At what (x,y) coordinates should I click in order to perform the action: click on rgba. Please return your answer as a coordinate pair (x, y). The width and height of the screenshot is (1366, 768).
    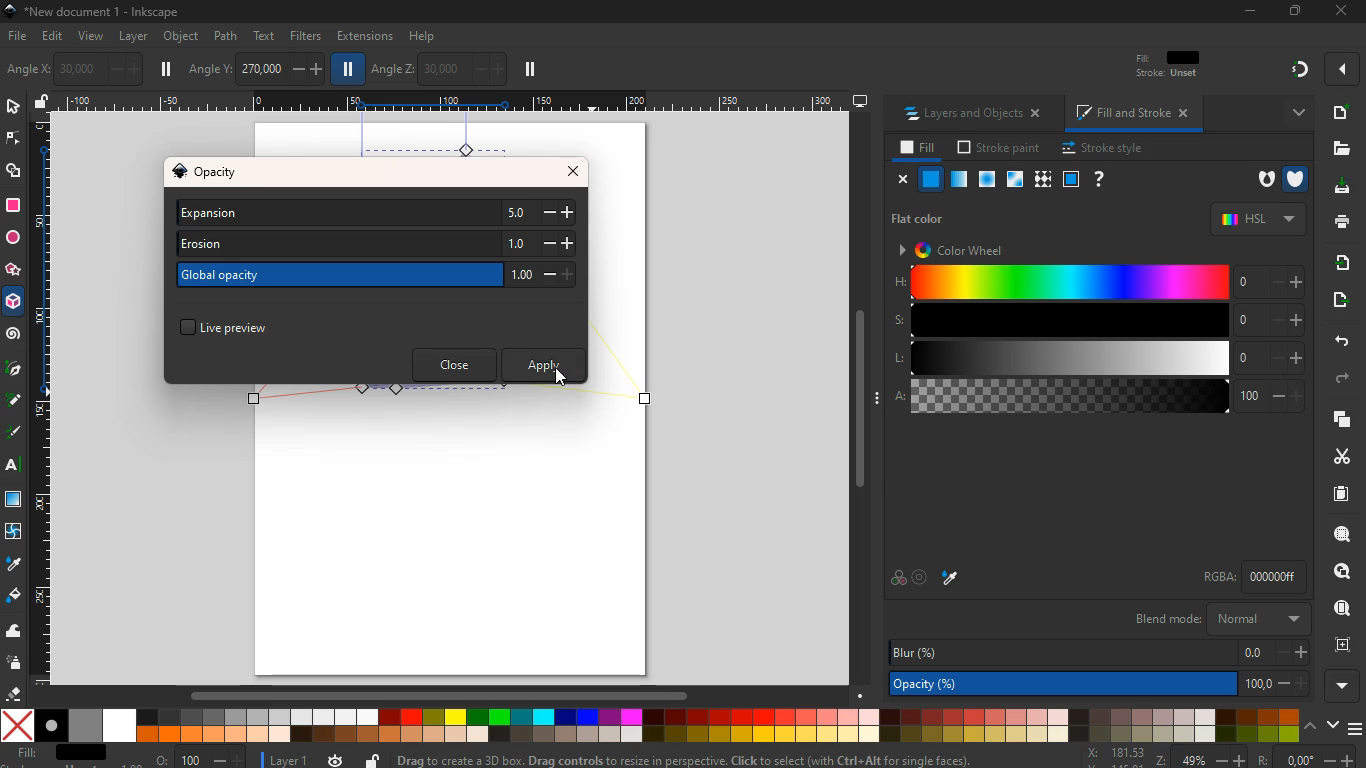
    Looking at the image, I should click on (1235, 577).